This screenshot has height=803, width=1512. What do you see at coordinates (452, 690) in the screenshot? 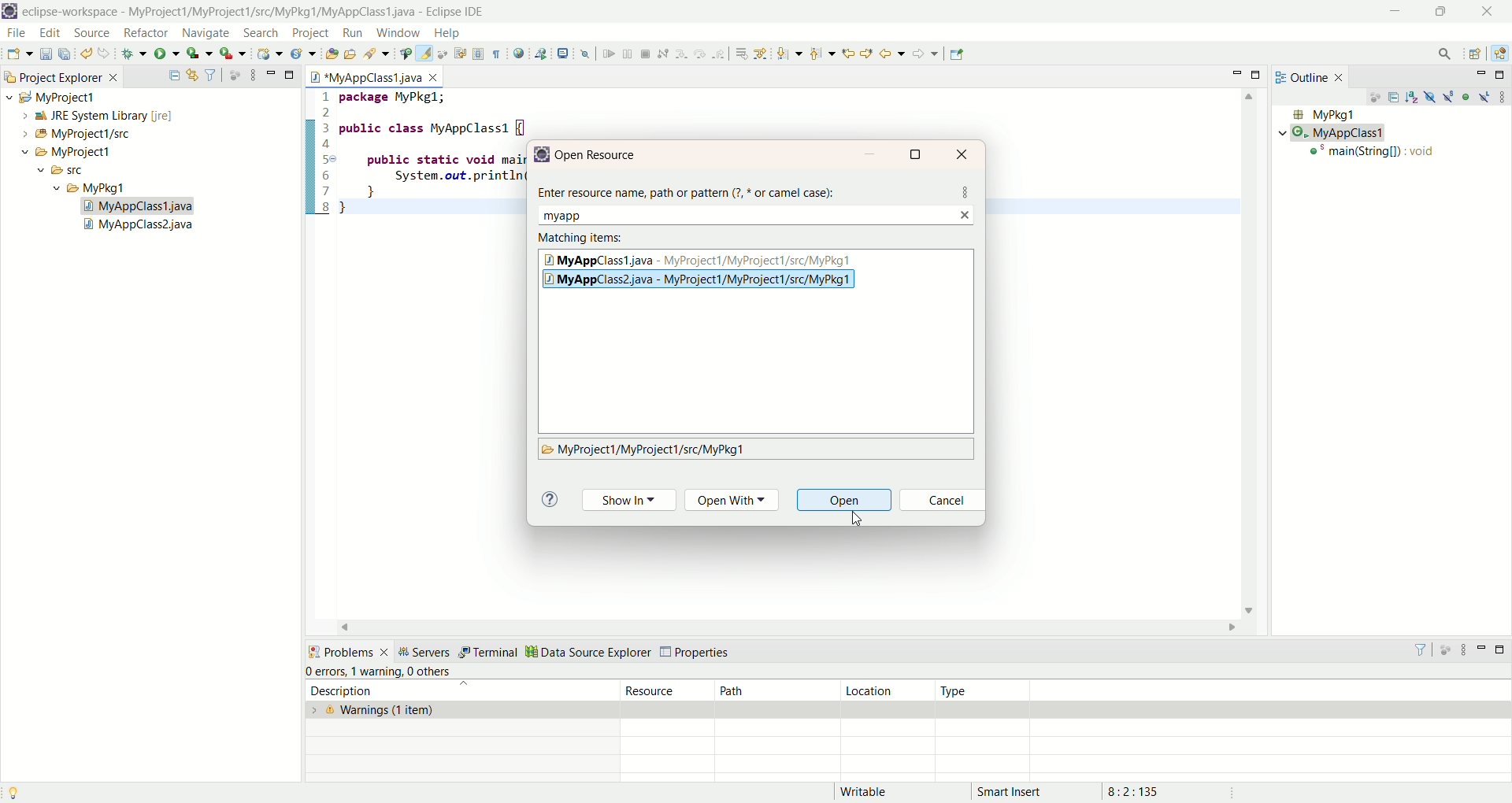
I see `description` at bounding box center [452, 690].